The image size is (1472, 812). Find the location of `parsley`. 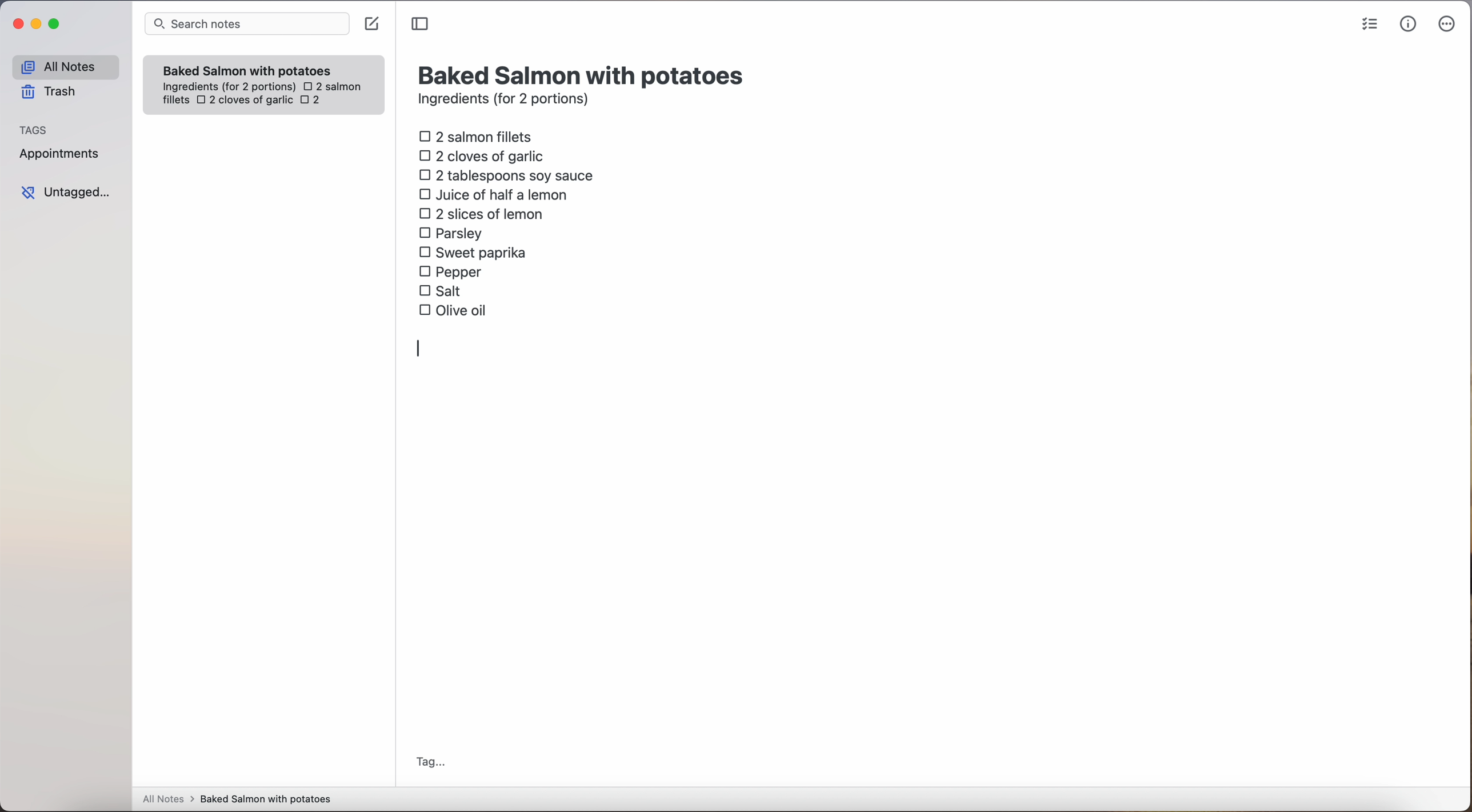

parsley is located at coordinates (451, 232).